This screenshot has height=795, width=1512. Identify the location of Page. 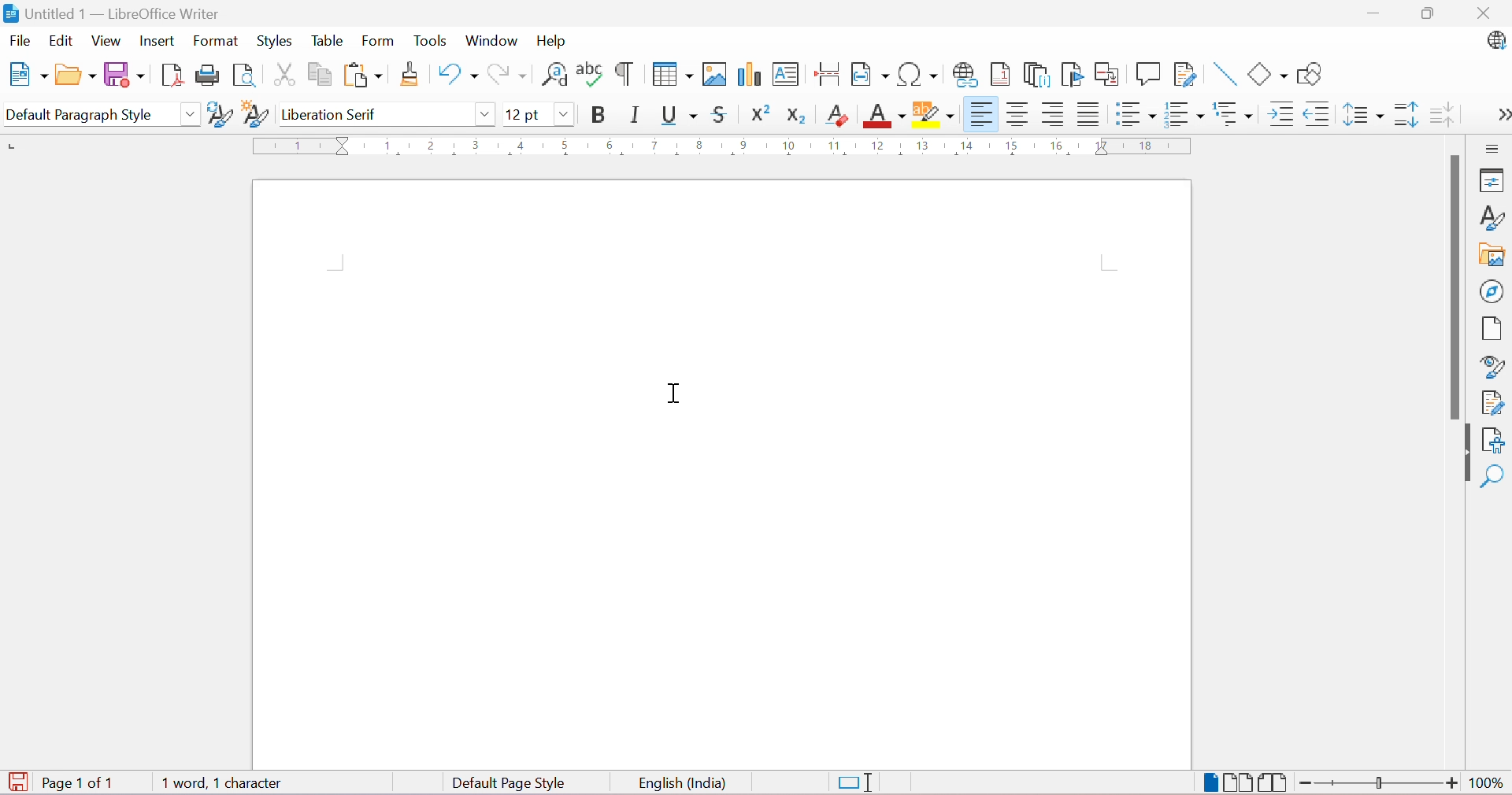
(1488, 328).